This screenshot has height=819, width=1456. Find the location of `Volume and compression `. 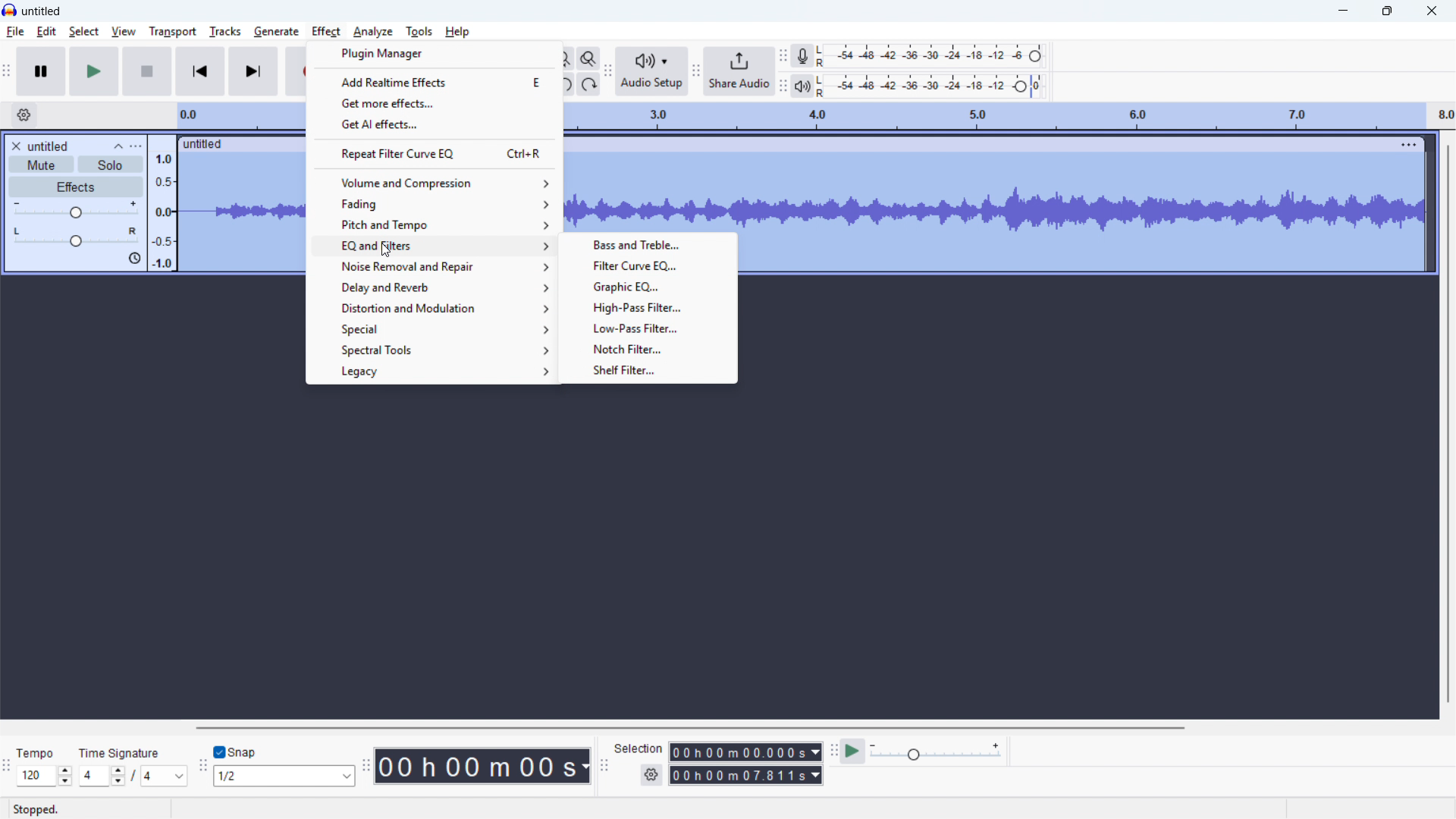

Volume and compression  is located at coordinates (435, 183).